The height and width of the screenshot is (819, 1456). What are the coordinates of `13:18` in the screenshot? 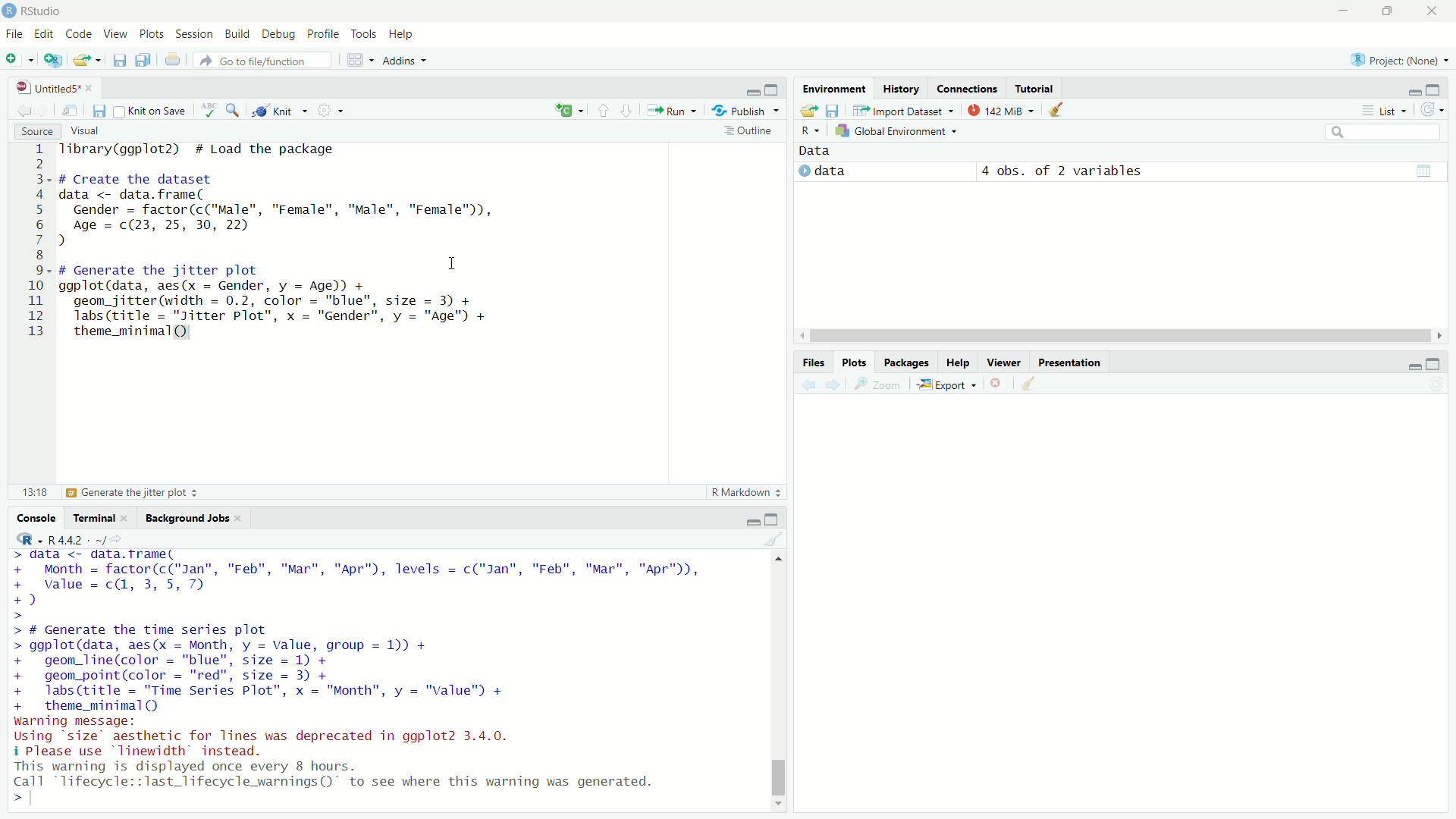 It's located at (27, 491).